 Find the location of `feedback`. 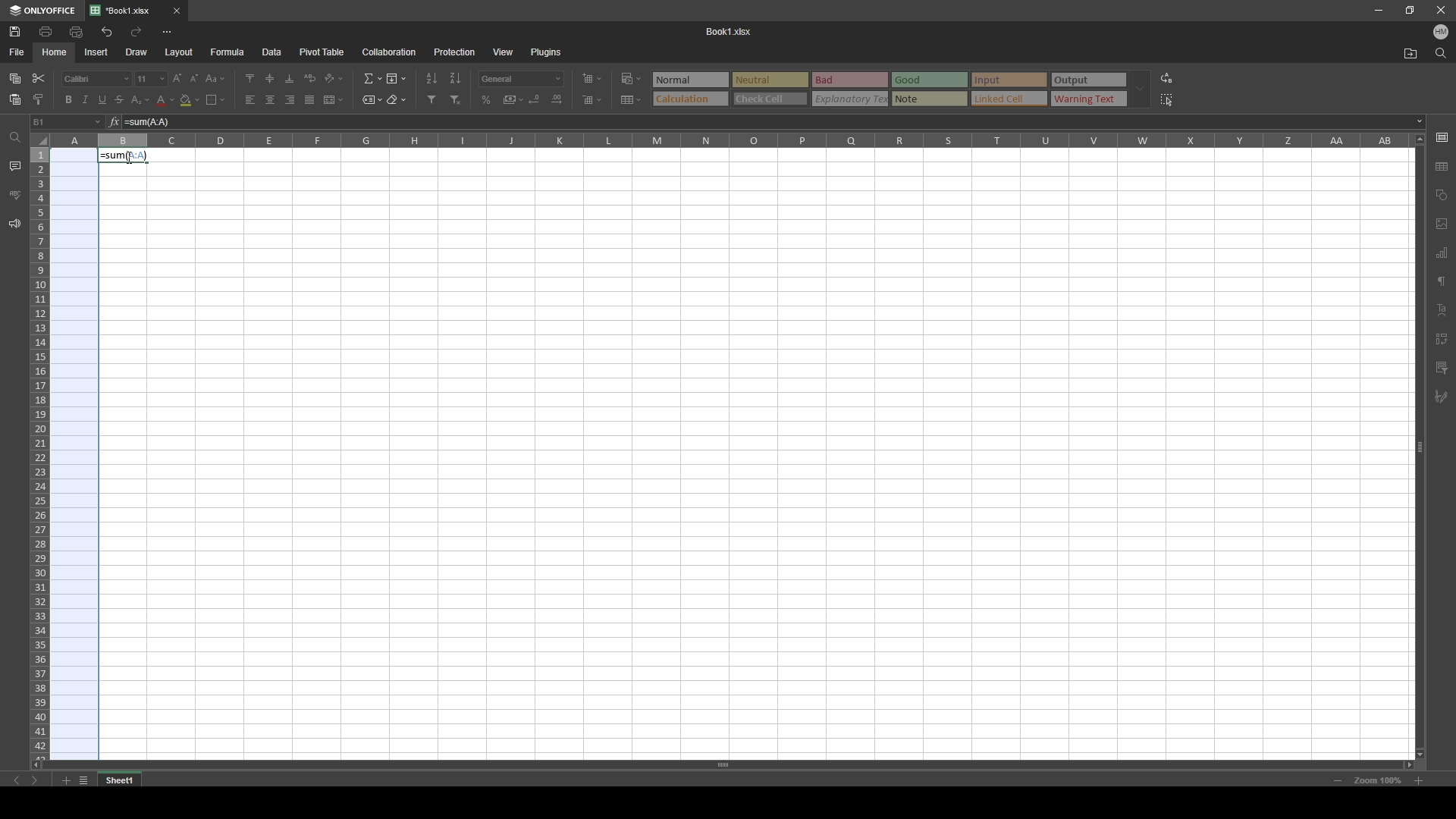

feedback is located at coordinates (15, 224).